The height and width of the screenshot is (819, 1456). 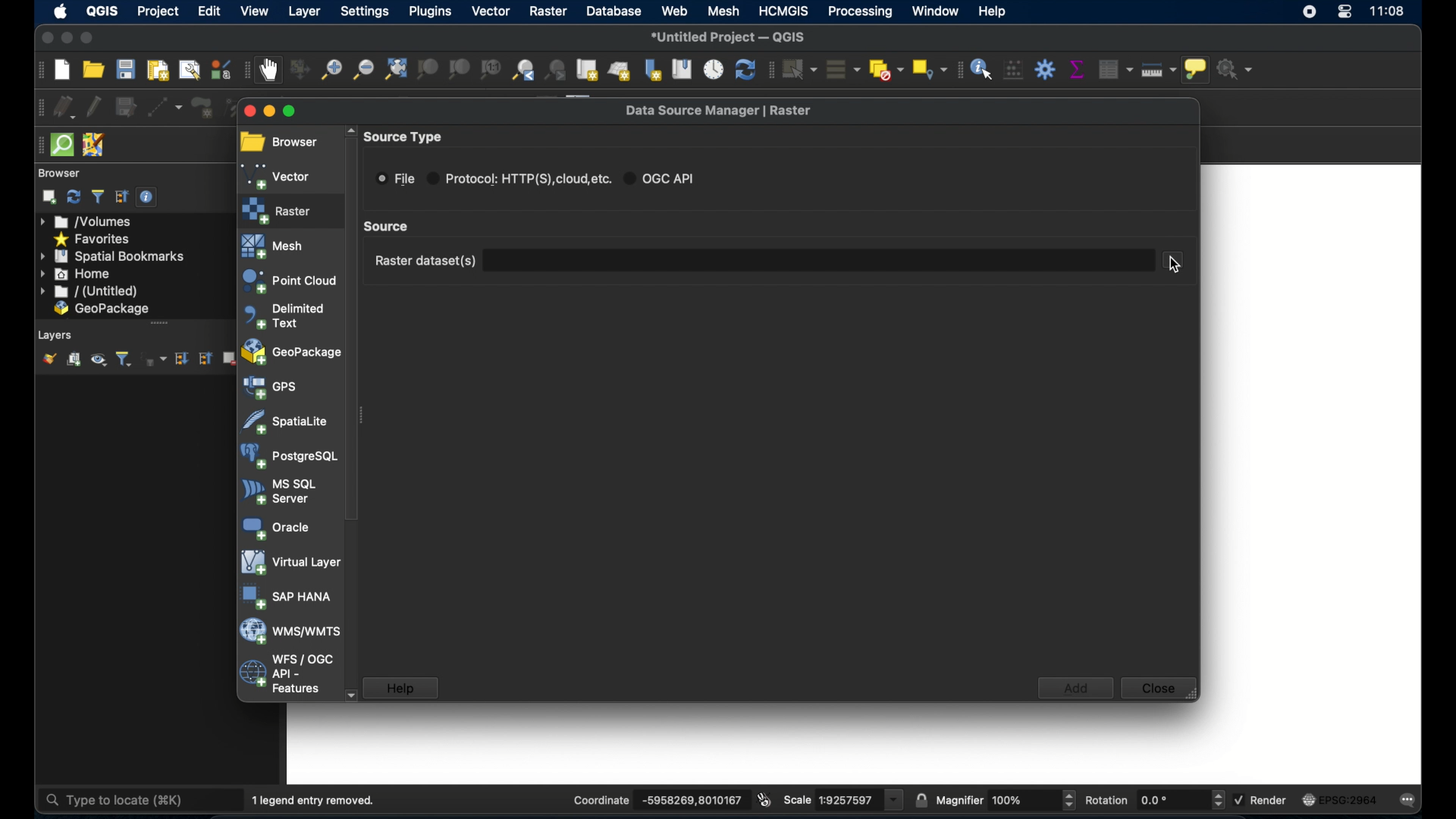 What do you see at coordinates (98, 196) in the screenshot?
I see `filter browser` at bounding box center [98, 196].